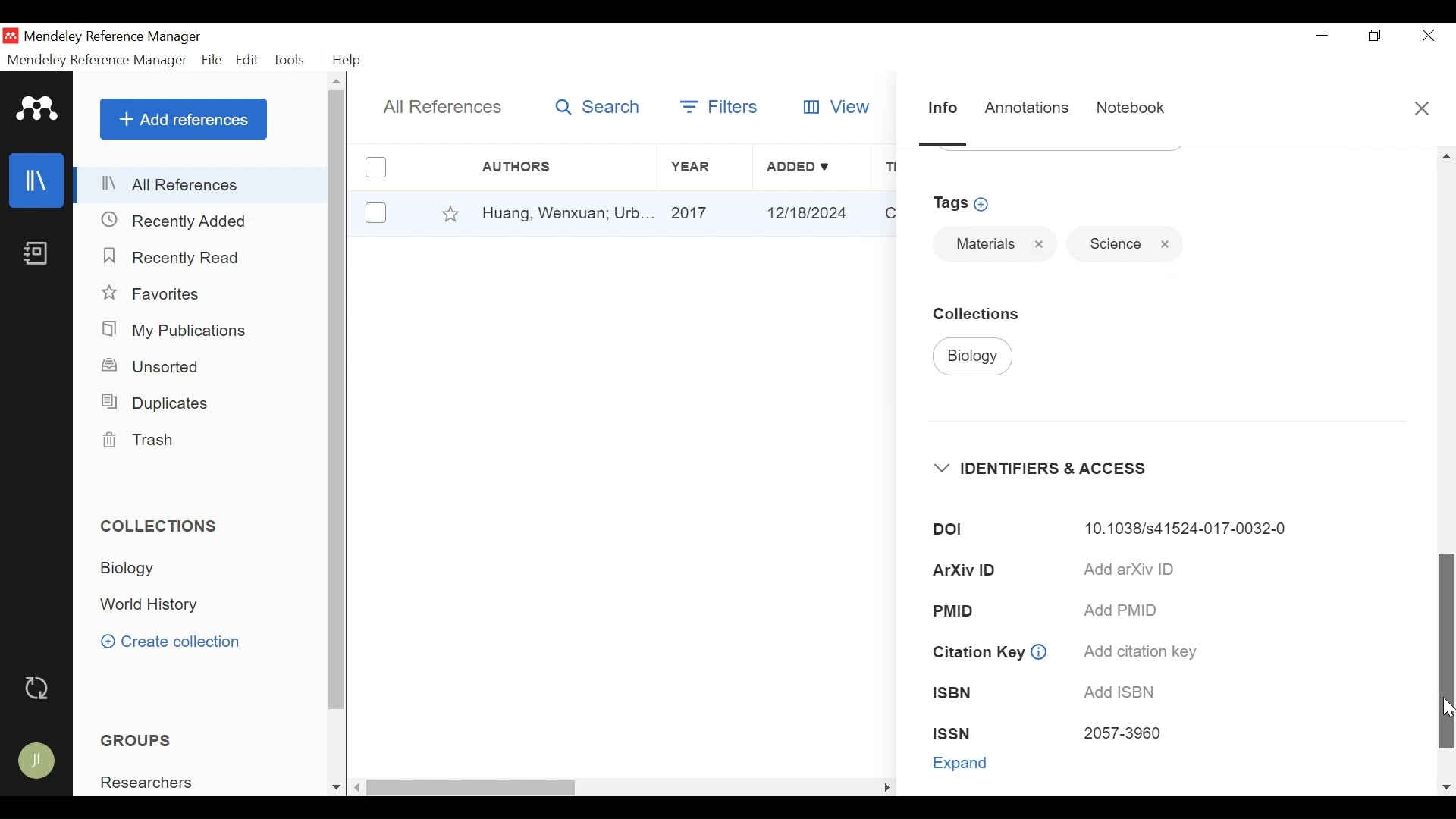 The width and height of the screenshot is (1456, 819). I want to click on Materials, so click(982, 243).